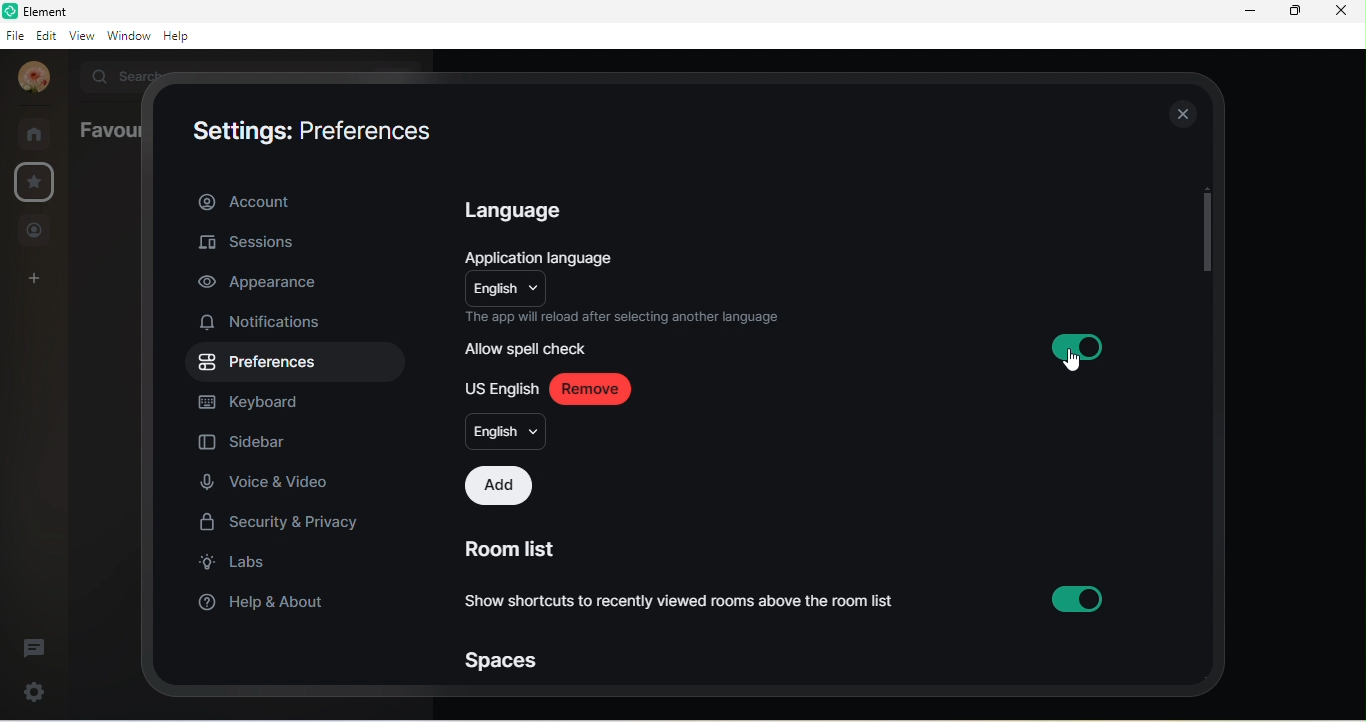  What do you see at coordinates (297, 204) in the screenshot?
I see `account` at bounding box center [297, 204].